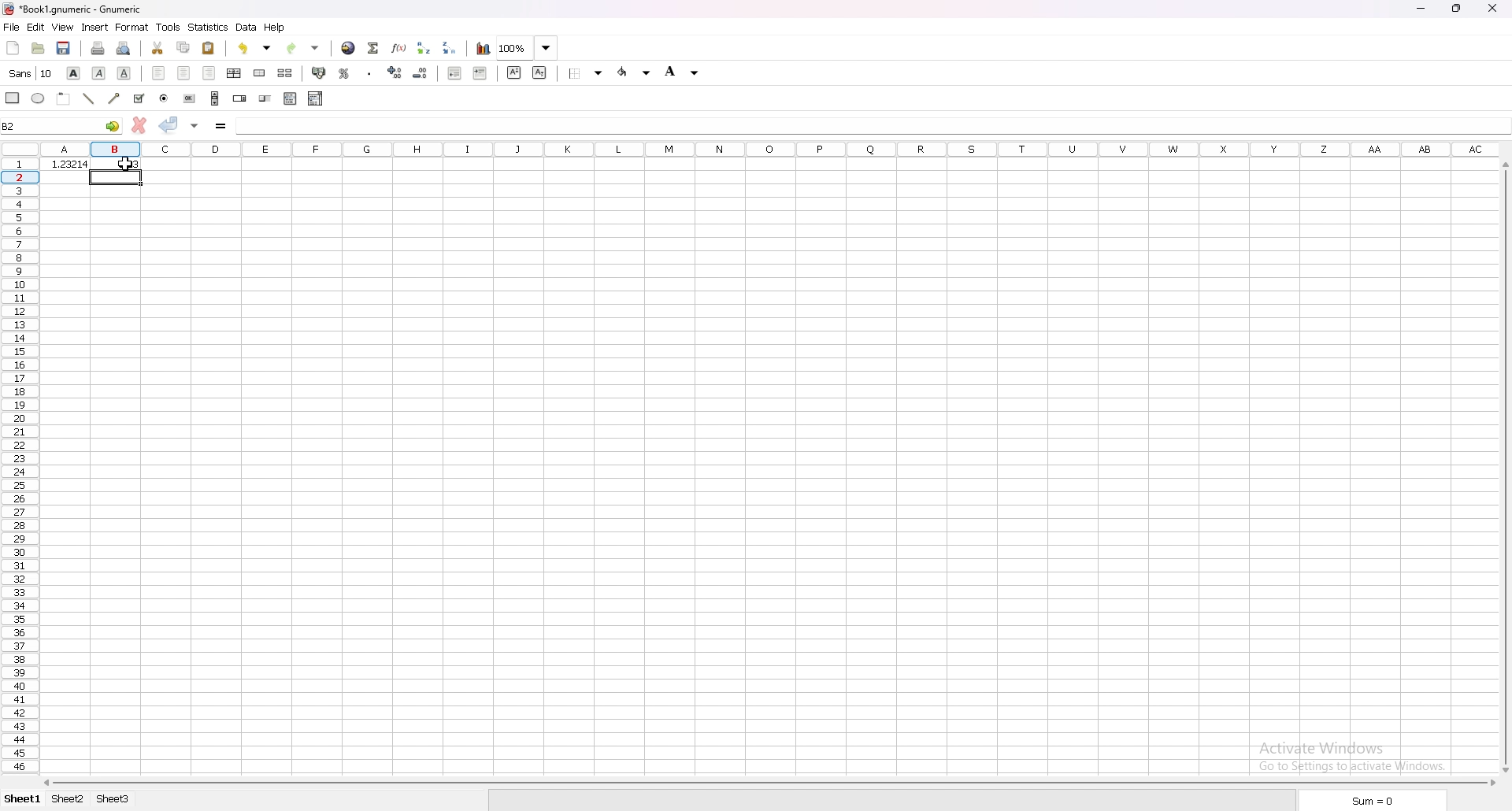 This screenshot has height=811, width=1512. What do you see at coordinates (1503, 466) in the screenshot?
I see `scroll bar` at bounding box center [1503, 466].